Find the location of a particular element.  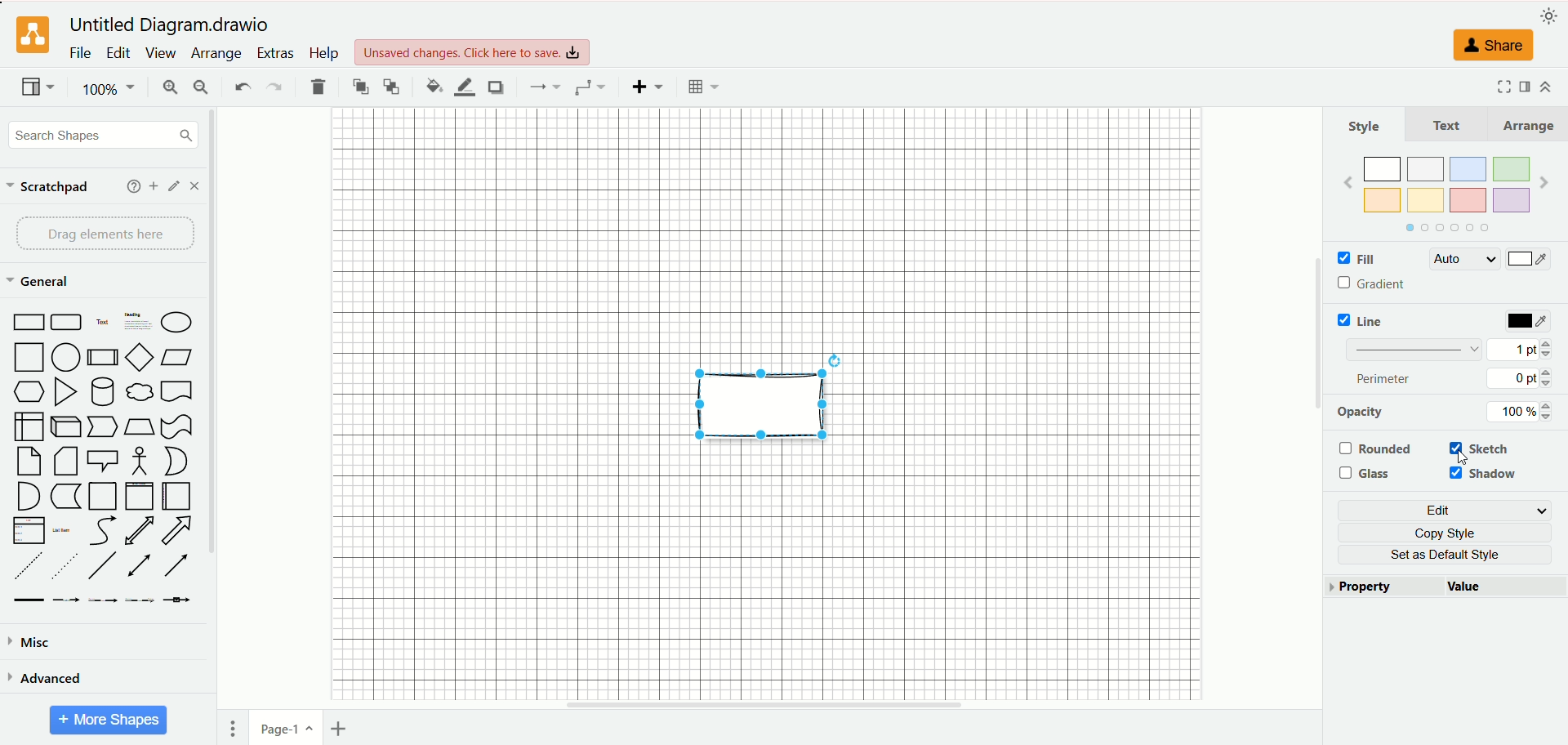

format is located at coordinates (1526, 85).